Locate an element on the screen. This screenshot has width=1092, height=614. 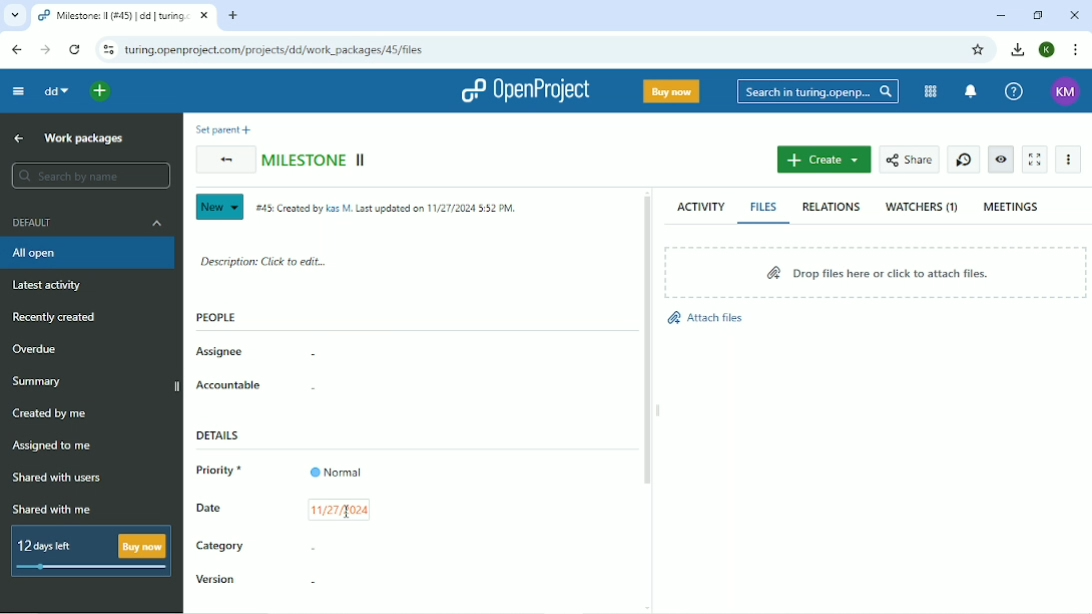
Open quick add menu is located at coordinates (102, 92).